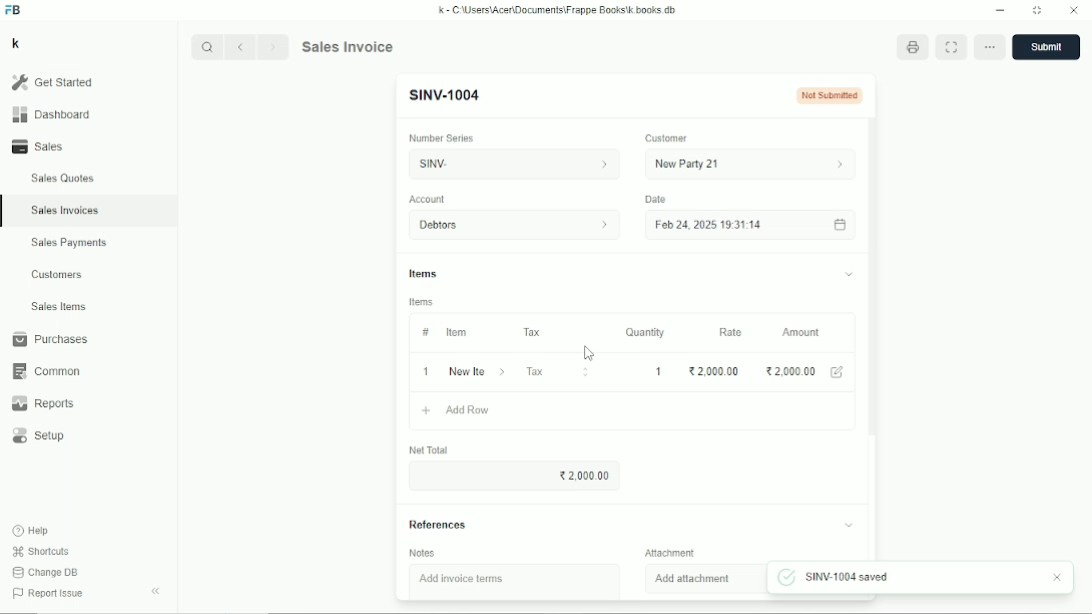 The image size is (1092, 614). I want to click on Customer, so click(667, 139).